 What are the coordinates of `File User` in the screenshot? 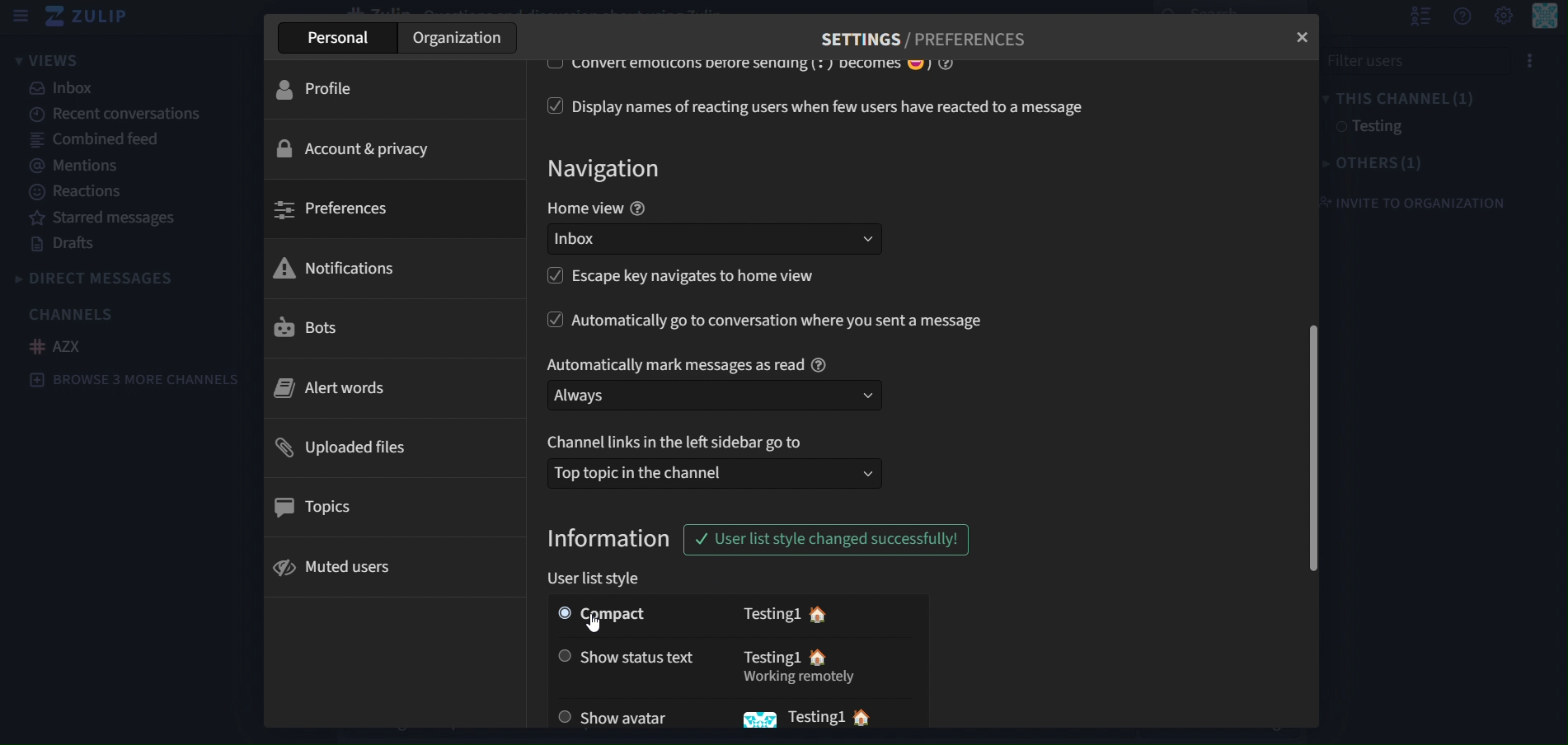 It's located at (1414, 61).